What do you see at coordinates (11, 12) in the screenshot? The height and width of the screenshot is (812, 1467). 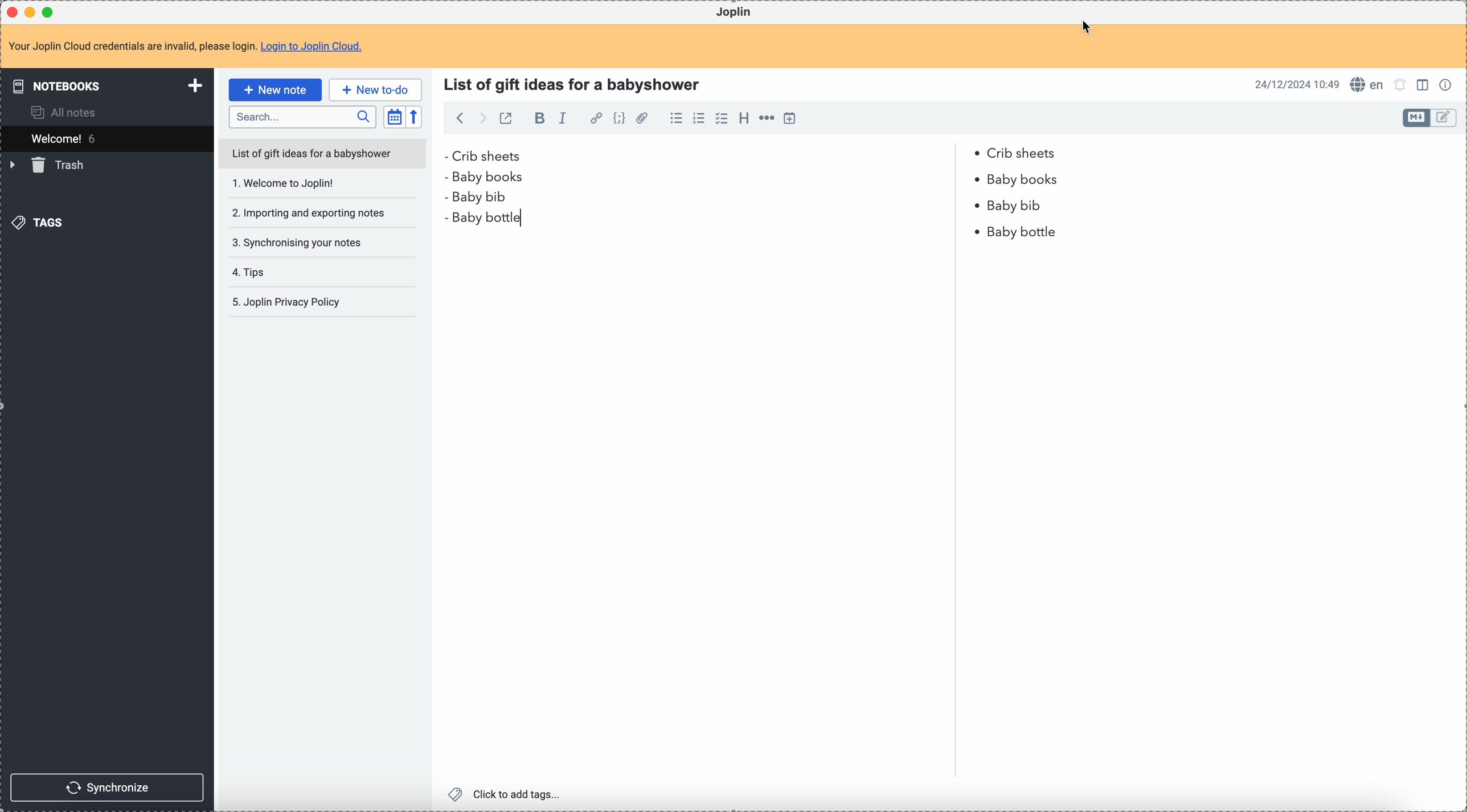 I see `close Joplin` at bounding box center [11, 12].